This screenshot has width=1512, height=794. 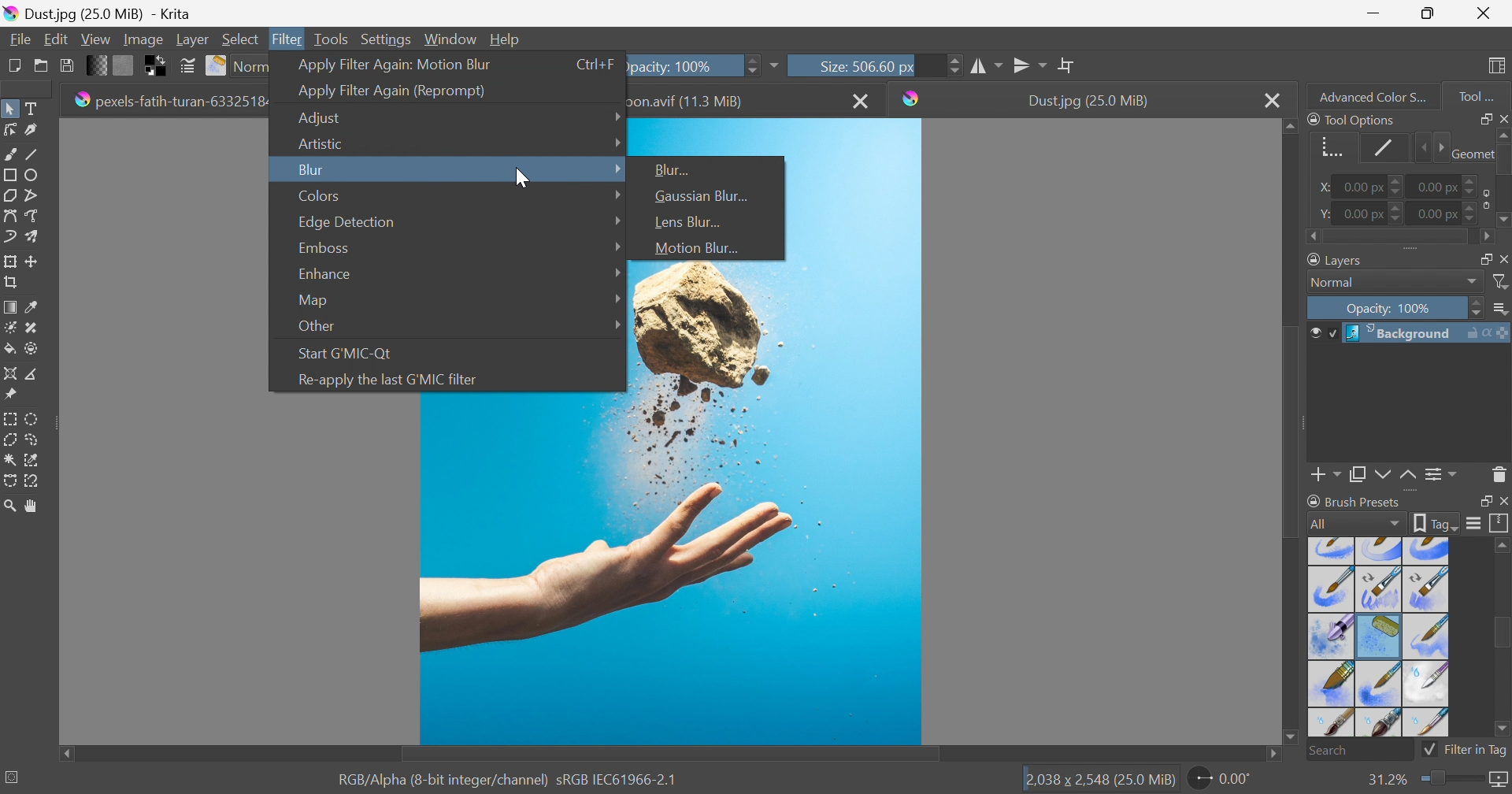 What do you see at coordinates (1428, 13) in the screenshot?
I see `Restore Down` at bounding box center [1428, 13].